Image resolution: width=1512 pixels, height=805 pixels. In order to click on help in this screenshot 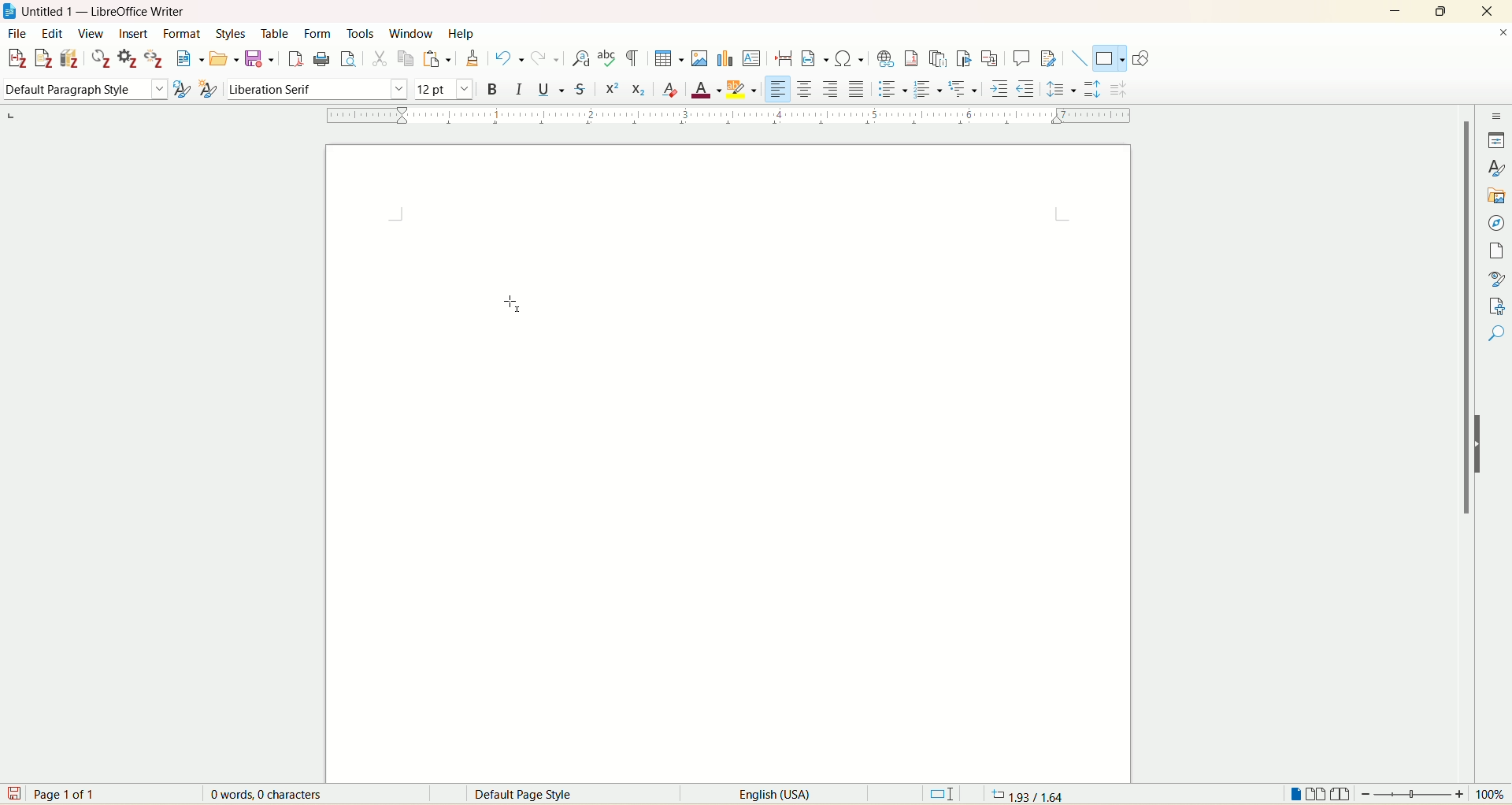, I will do `click(461, 33)`.